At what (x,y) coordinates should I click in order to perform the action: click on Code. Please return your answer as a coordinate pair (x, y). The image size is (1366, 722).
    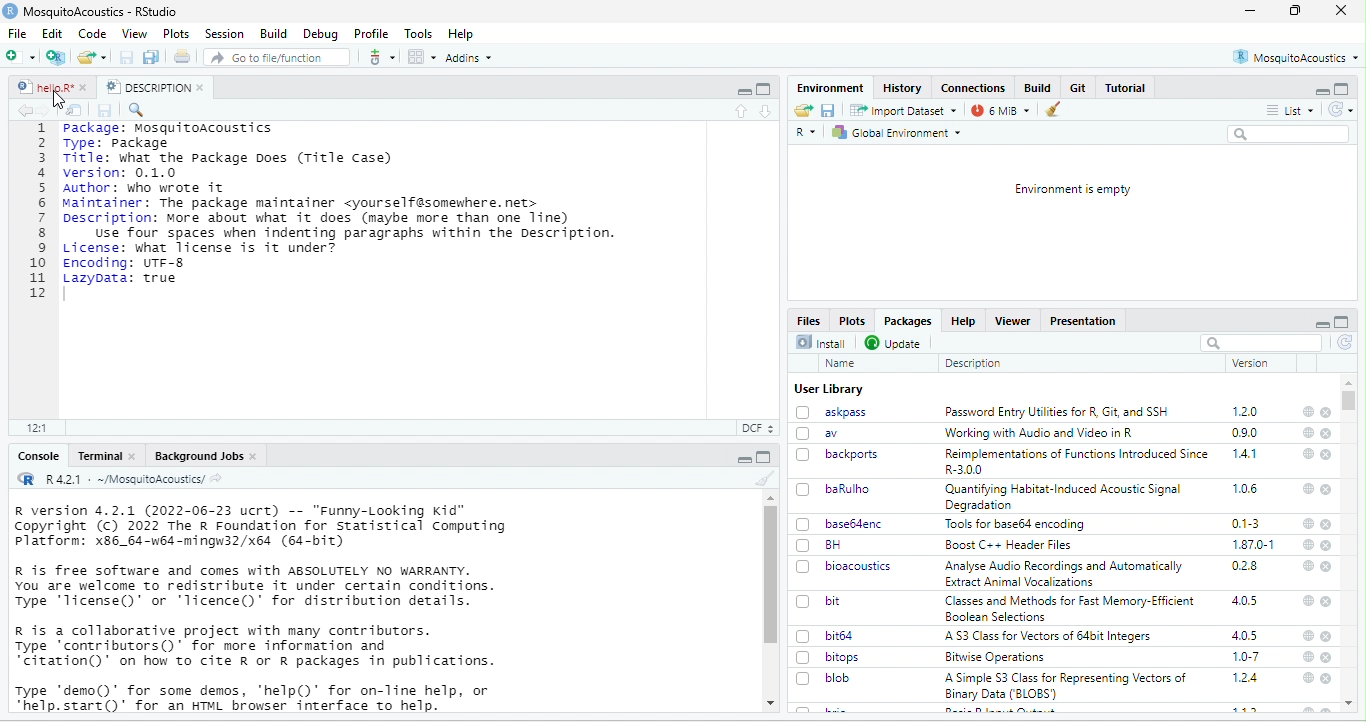
    Looking at the image, I should click on (93, 33).